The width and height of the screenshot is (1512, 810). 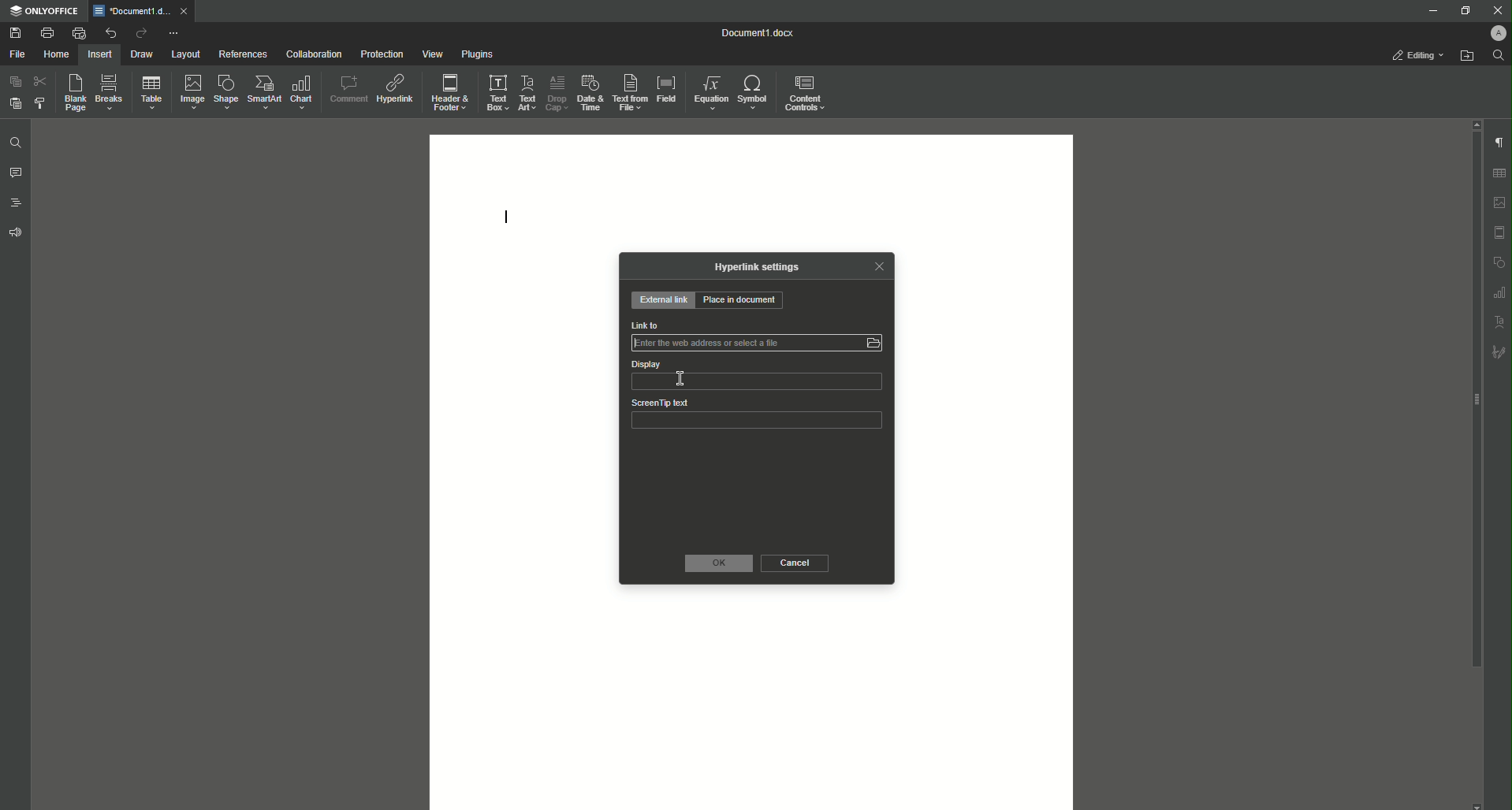 I want to click on Display, so click(x=646, y=364).